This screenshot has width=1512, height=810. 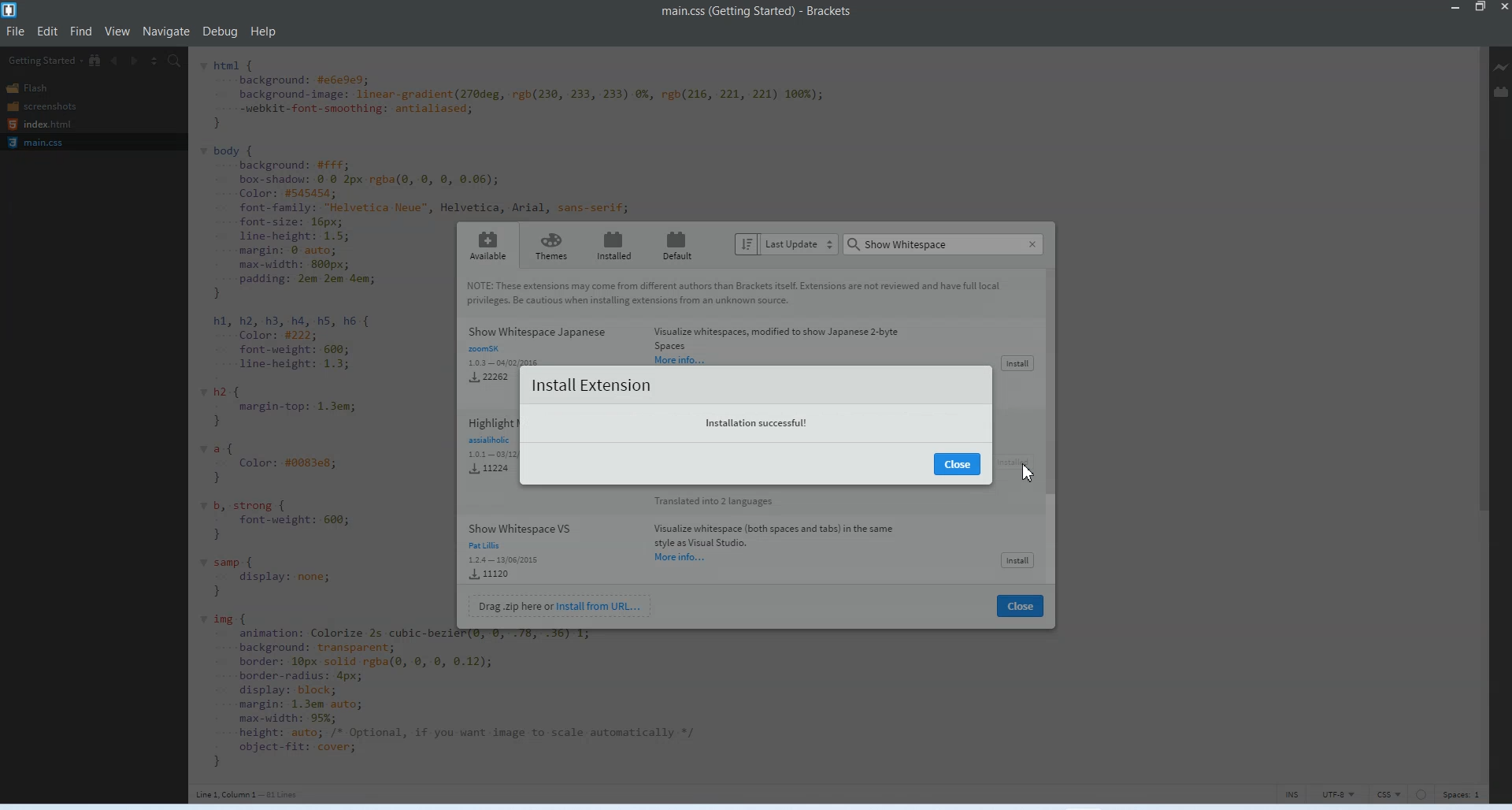 I want to click on Available, so click(x=487, y=244).